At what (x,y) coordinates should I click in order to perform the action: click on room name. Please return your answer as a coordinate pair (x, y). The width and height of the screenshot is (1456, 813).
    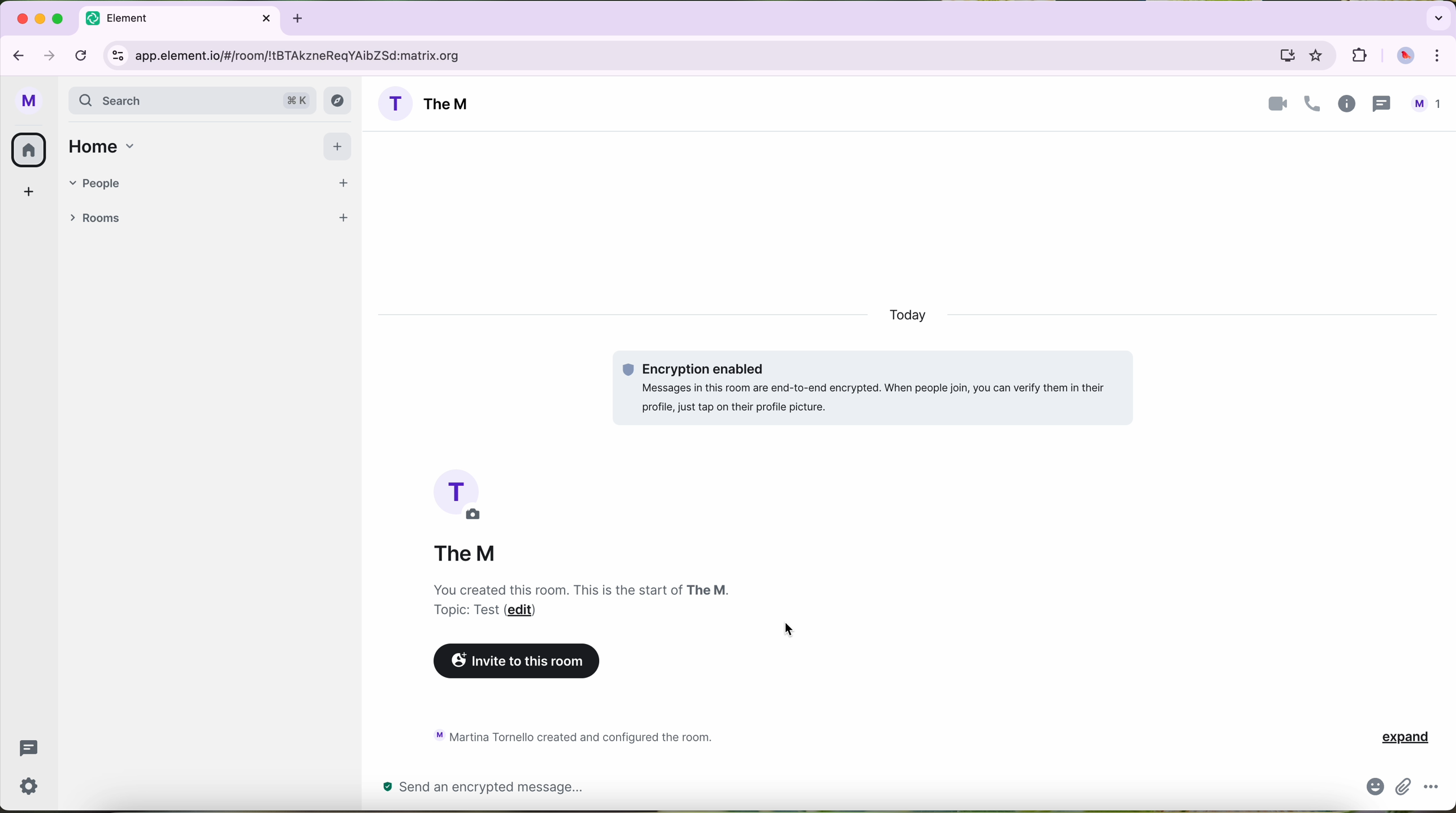
    Looking at the image, I should click on (430, 104).